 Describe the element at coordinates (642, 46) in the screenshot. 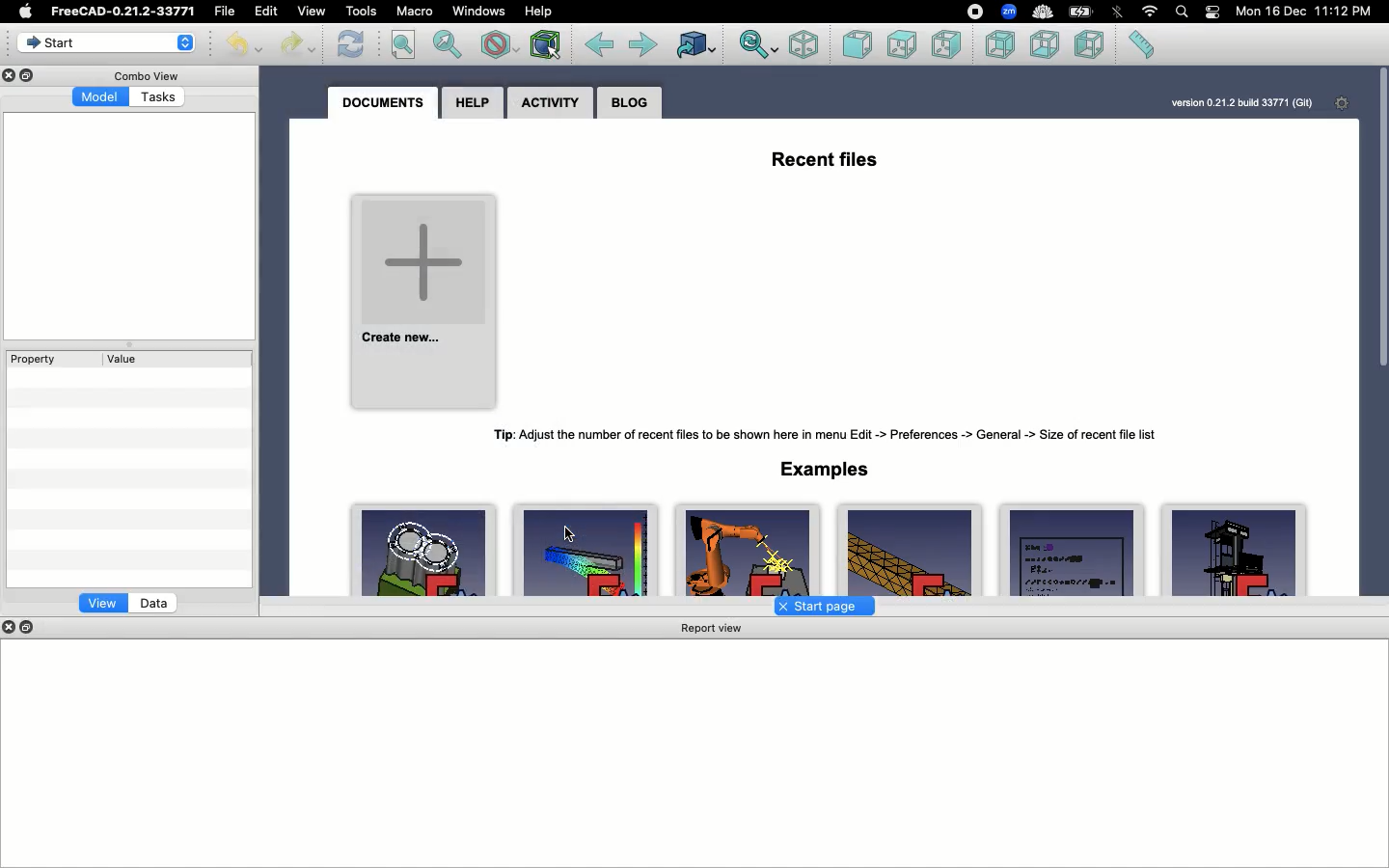

I see `Forward` at that location.